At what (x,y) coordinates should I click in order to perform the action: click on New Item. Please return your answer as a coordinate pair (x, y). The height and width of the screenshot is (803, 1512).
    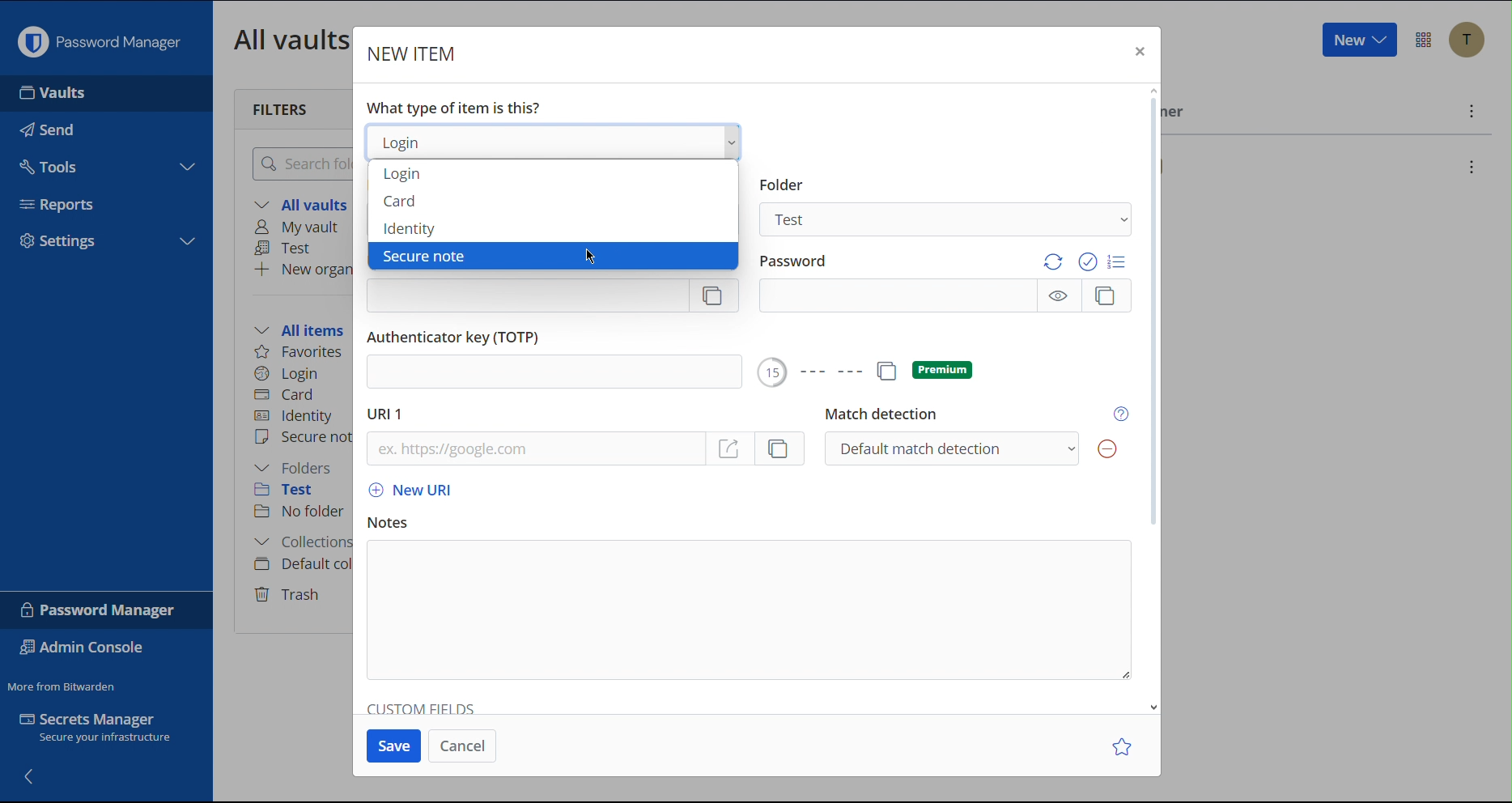
    Looking at the image, I should click on (414, 53).